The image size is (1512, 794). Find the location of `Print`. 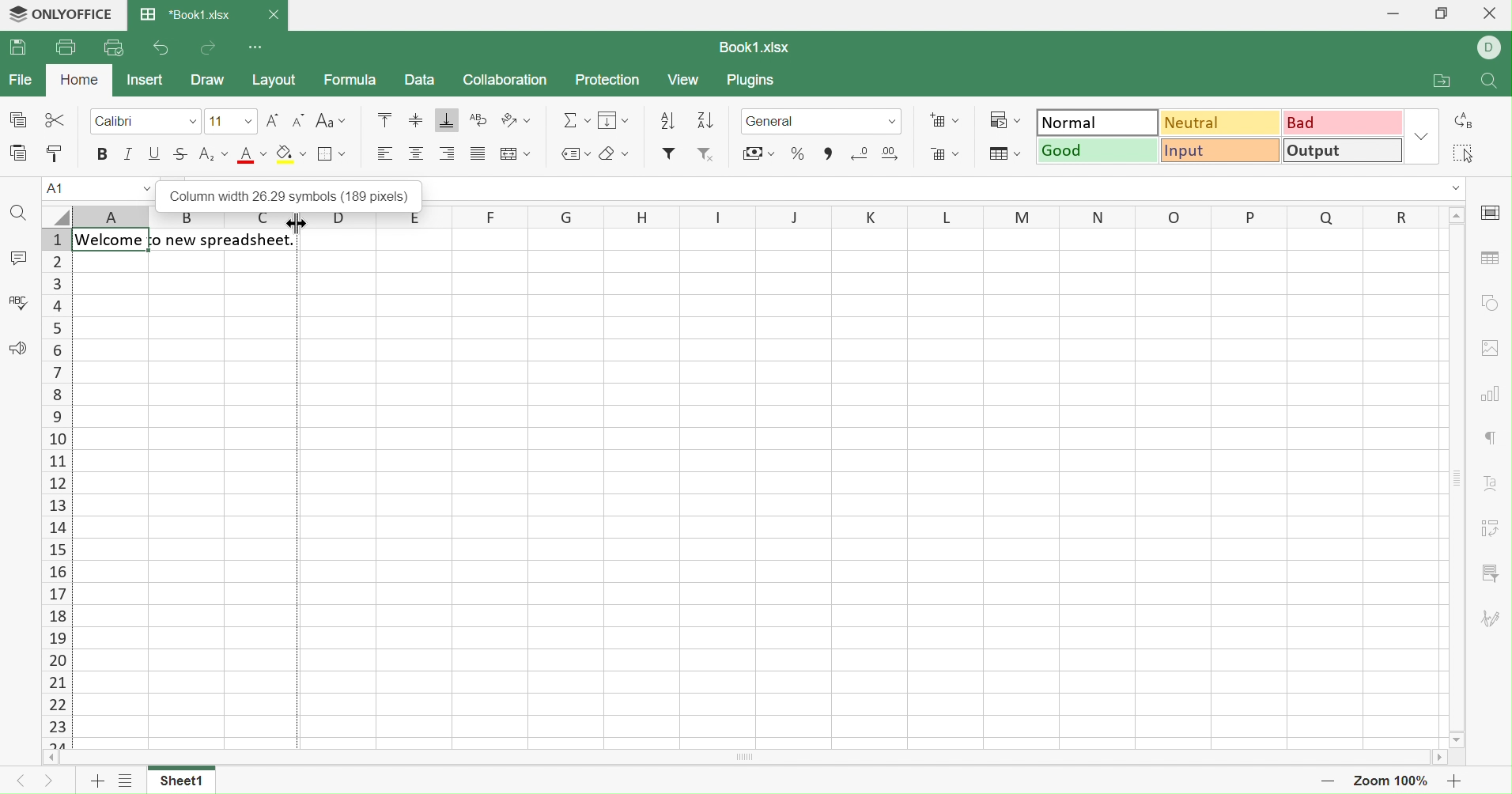

Print is located at coordinates (66, 45).